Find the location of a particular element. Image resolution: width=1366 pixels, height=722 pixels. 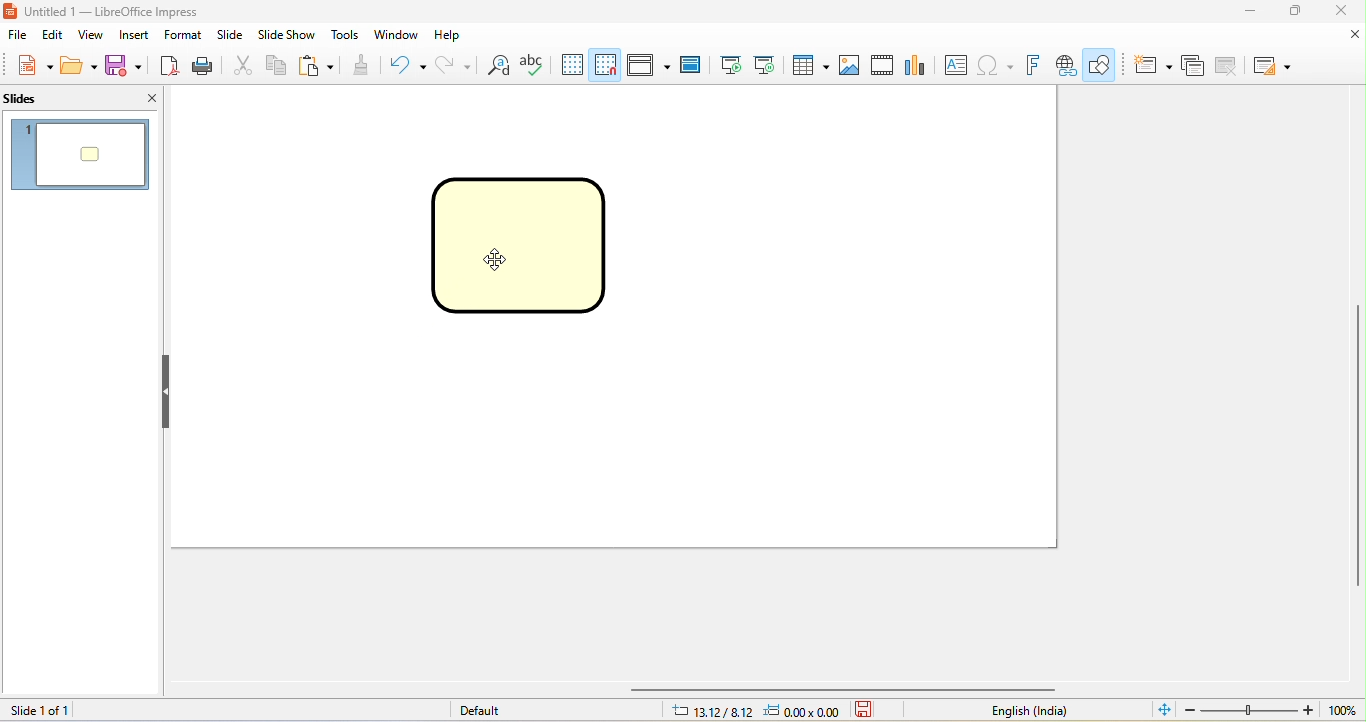

0.00x0.00 is located at coordinates (801, 710).